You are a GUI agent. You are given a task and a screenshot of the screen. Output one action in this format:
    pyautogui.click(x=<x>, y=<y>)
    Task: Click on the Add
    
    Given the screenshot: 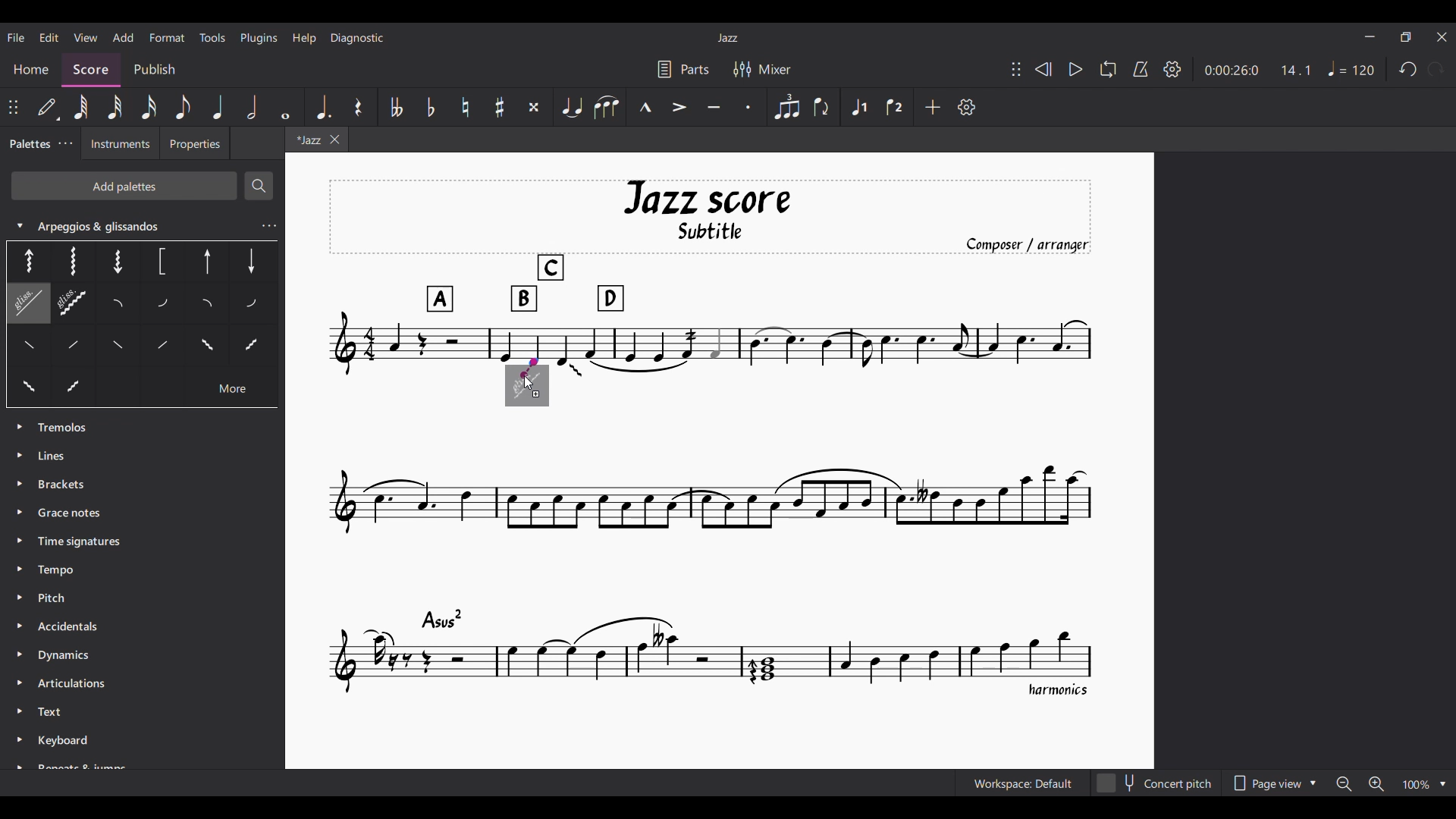 What is the action you would take?
    pyautogui.click(x=933, y=107)
    